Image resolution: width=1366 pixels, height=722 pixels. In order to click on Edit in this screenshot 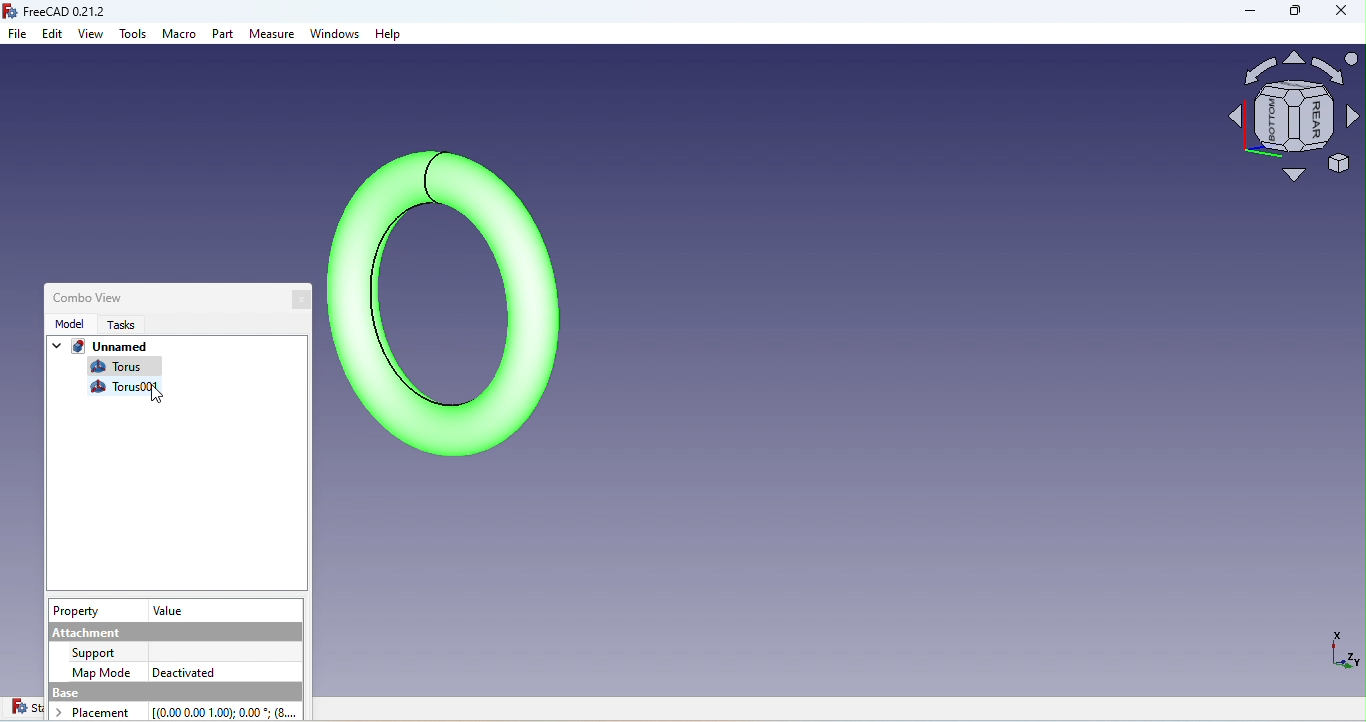, I will do `click(53, 35)`.